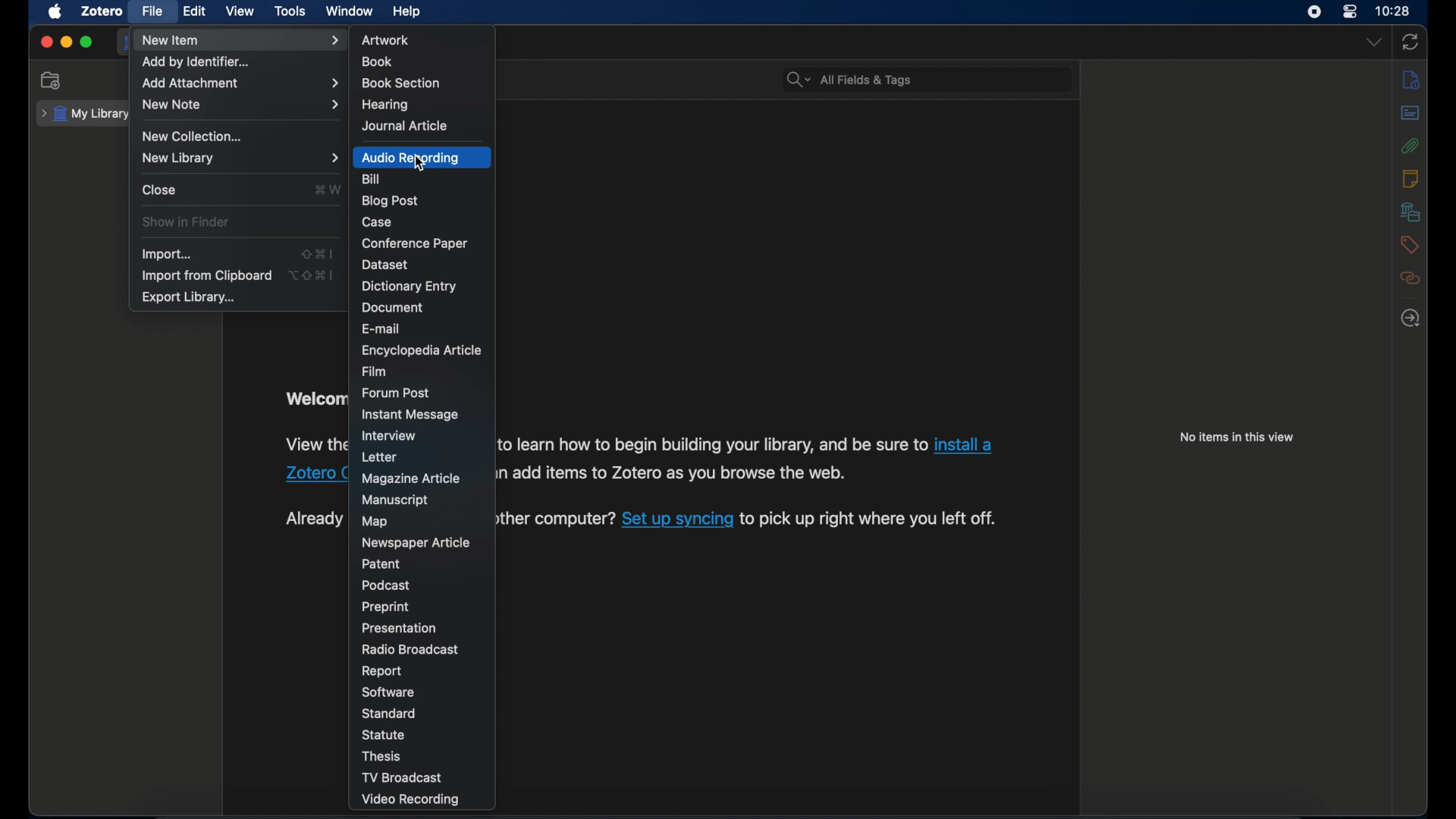 The width and height of the screenshot is (1456, 819). Describe the element at coordinates (313, 444) in the screenshot. I see `obscure text` at that location.